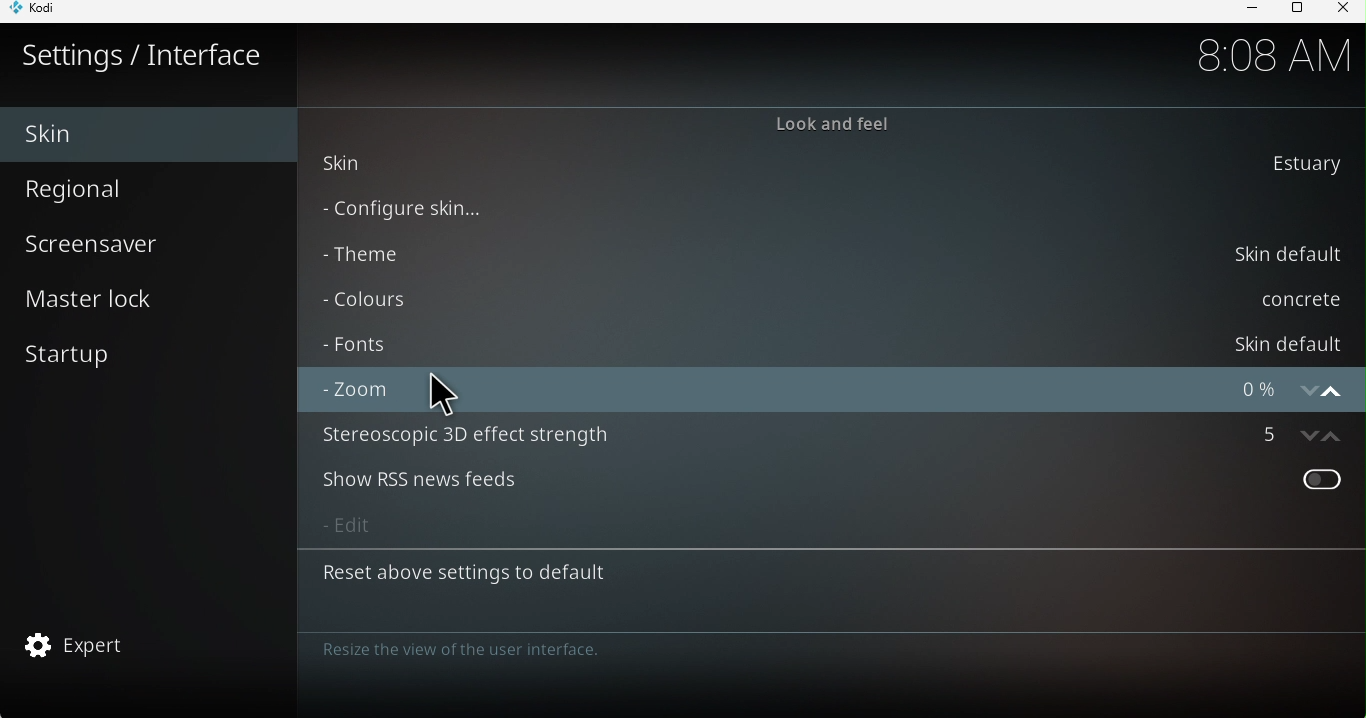 This screenshot has height=718, width=1366. What do you see at coordinates (503, 651) in the screenshot?
I see `Note` at bounding box center [503, 651].